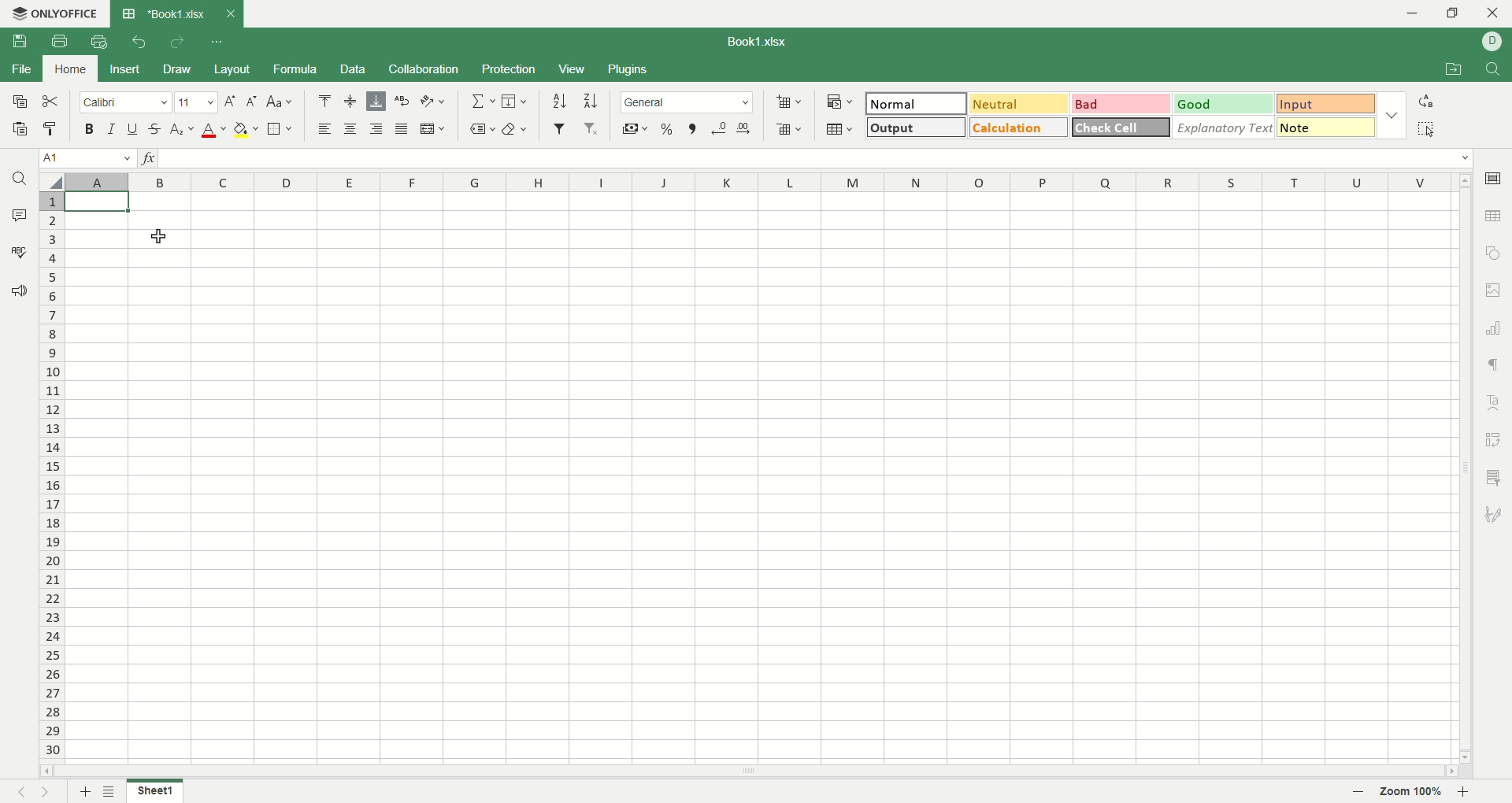 The height and width of the screenshot is (803, 1512). What do you see at coordinates (1496, 477) in the screenshot?
I see `slicer` at bounding box center [1496, 477].